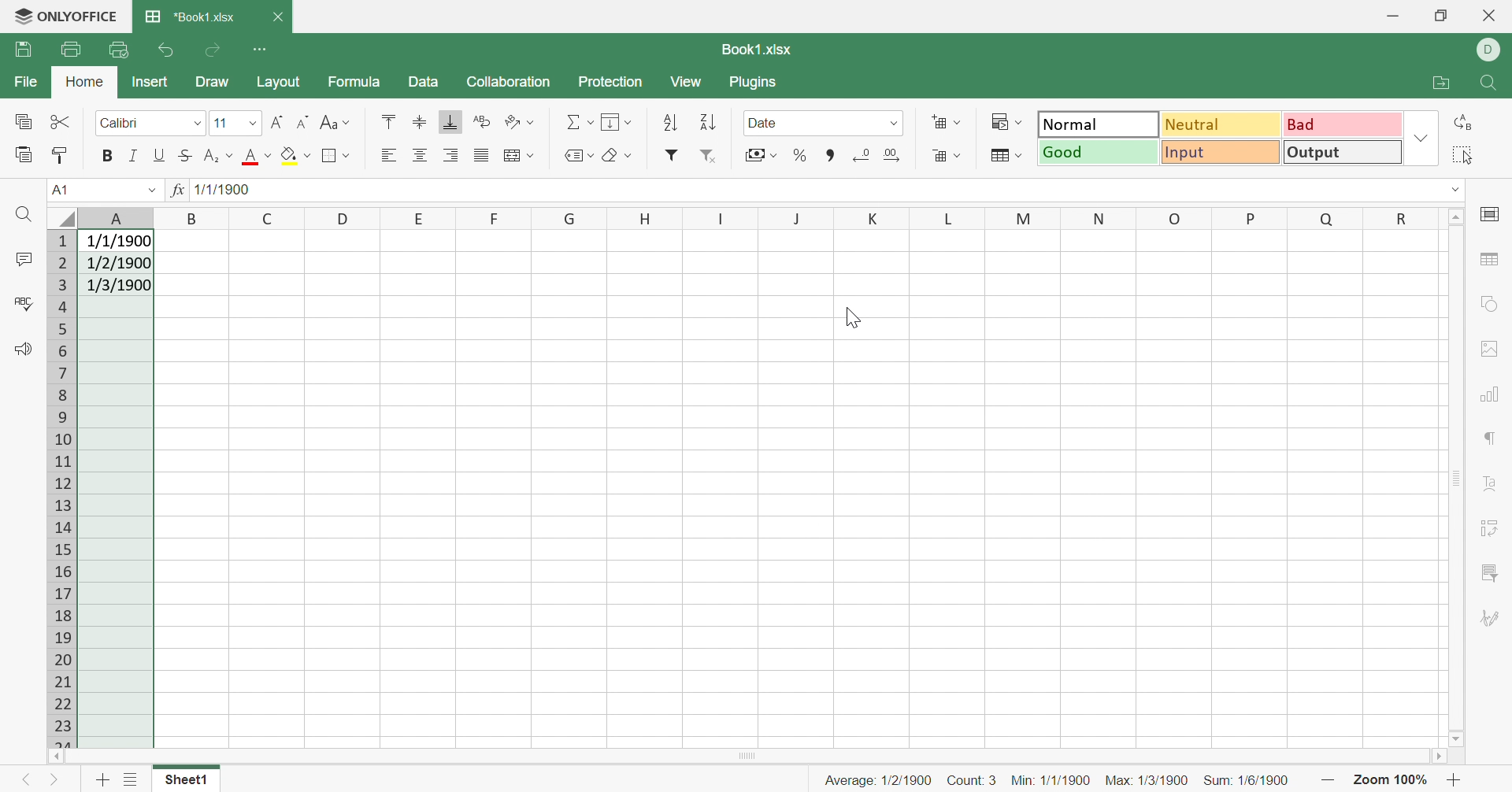 The height and width of the screenshot is (792, 1512). What do you see at coordinates (508, 83) in the screenshot?
I see `Collaboration` at bounding box center [508, 83].